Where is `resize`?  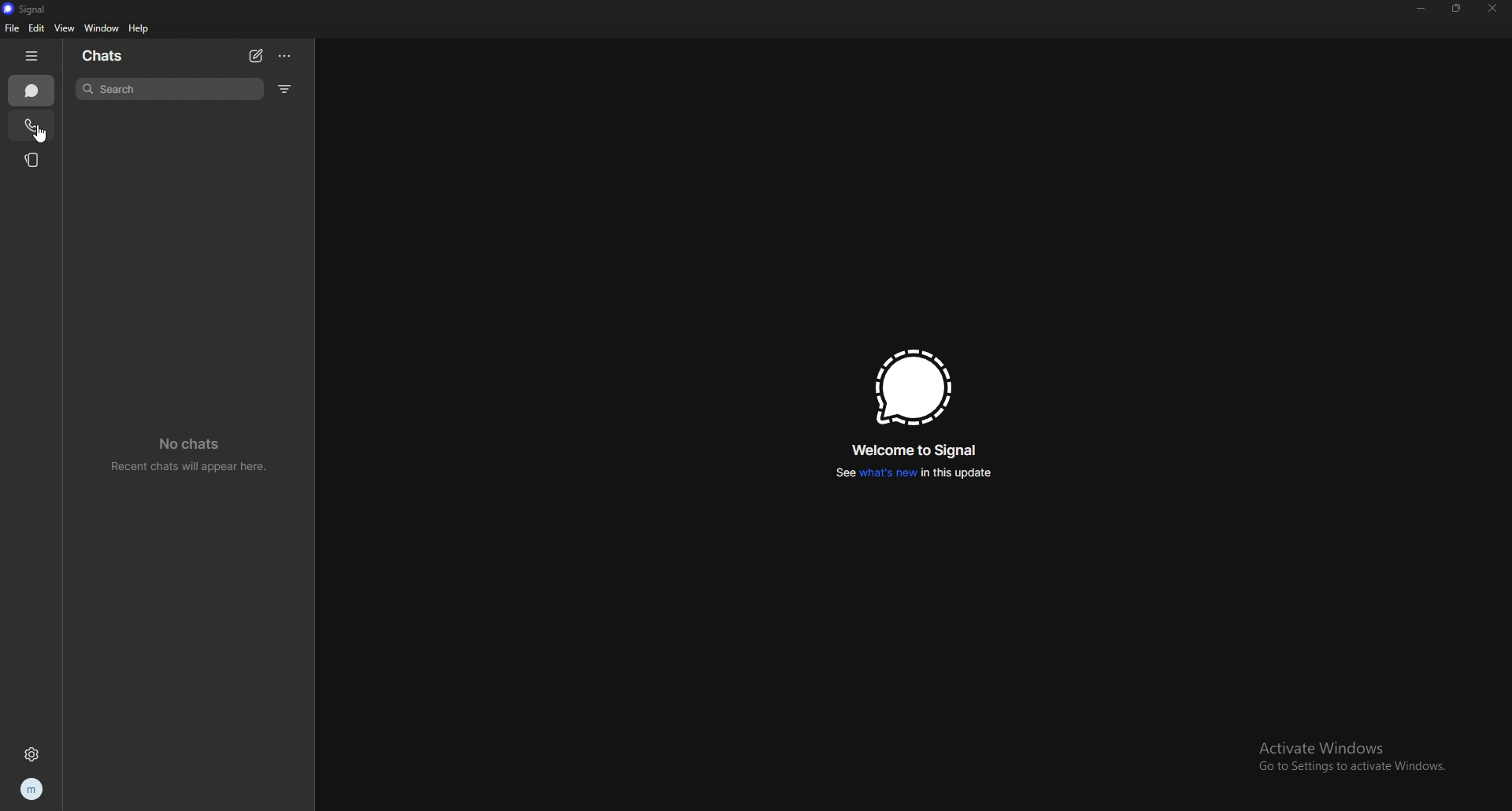
resize is located at coordinates (1458, 8).